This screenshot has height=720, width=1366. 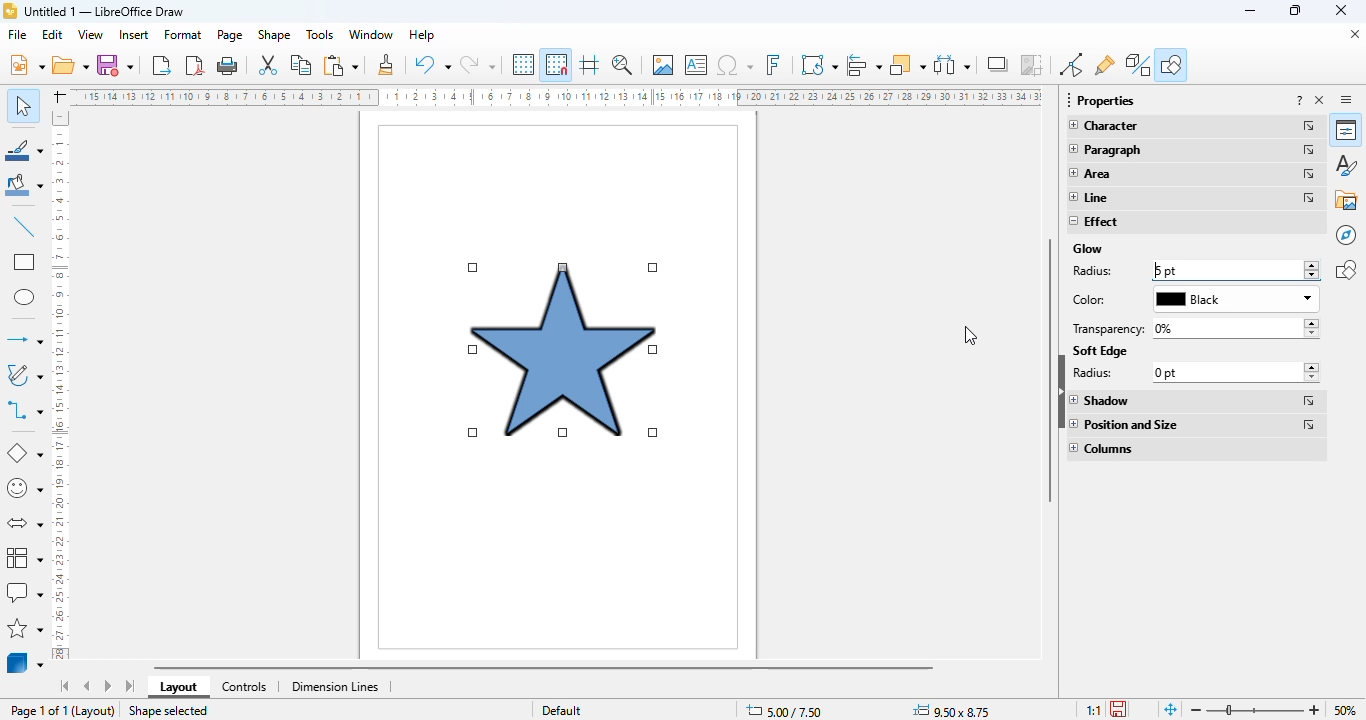 I want to click on toggle point edit mode, so click(x=1072, y=65).